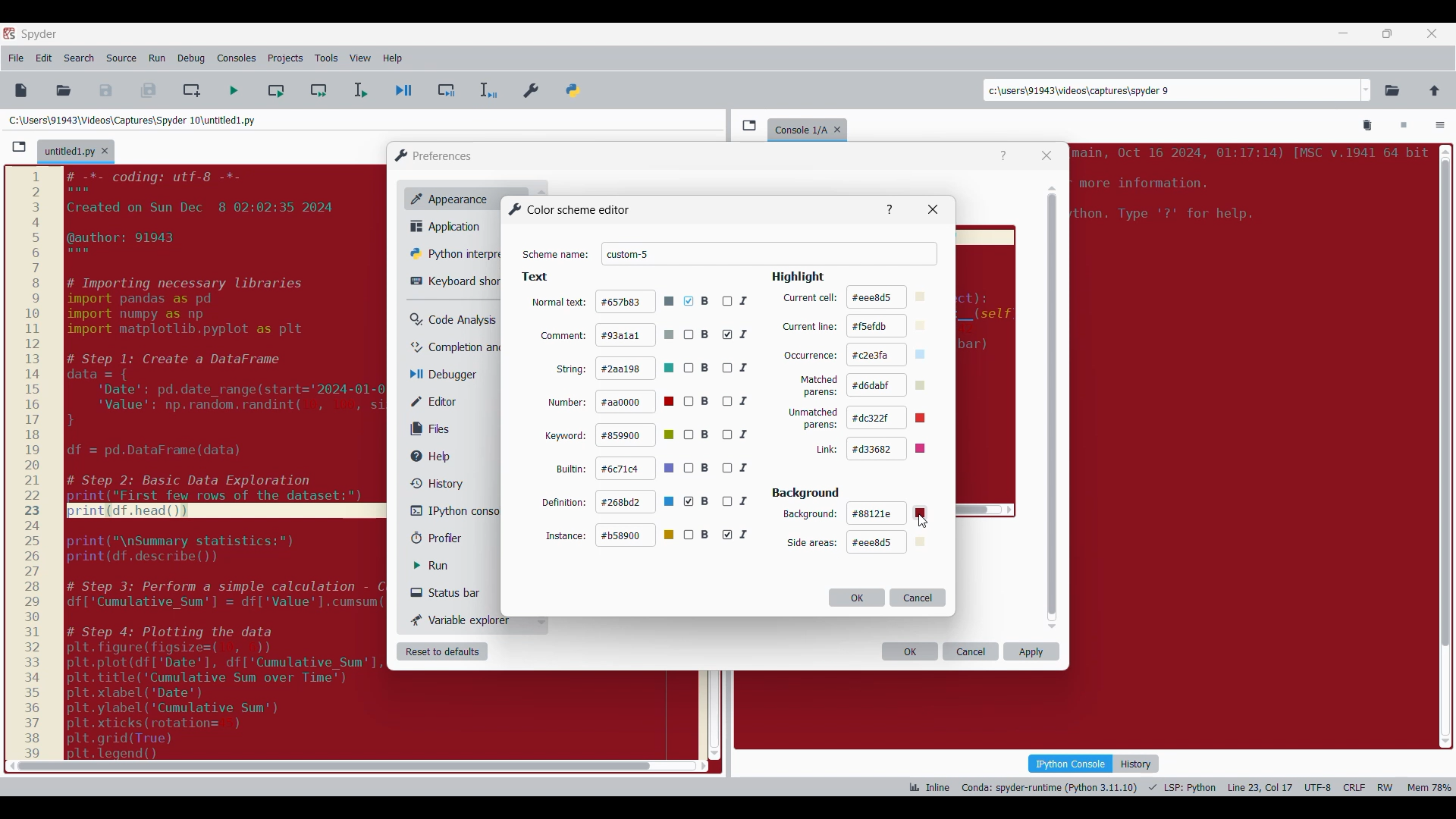 The width and height of the screenshot is (1456, 819). Describe the element at coordinates (453, 253) in the screenshot. I see `Python interpreter` at that location.